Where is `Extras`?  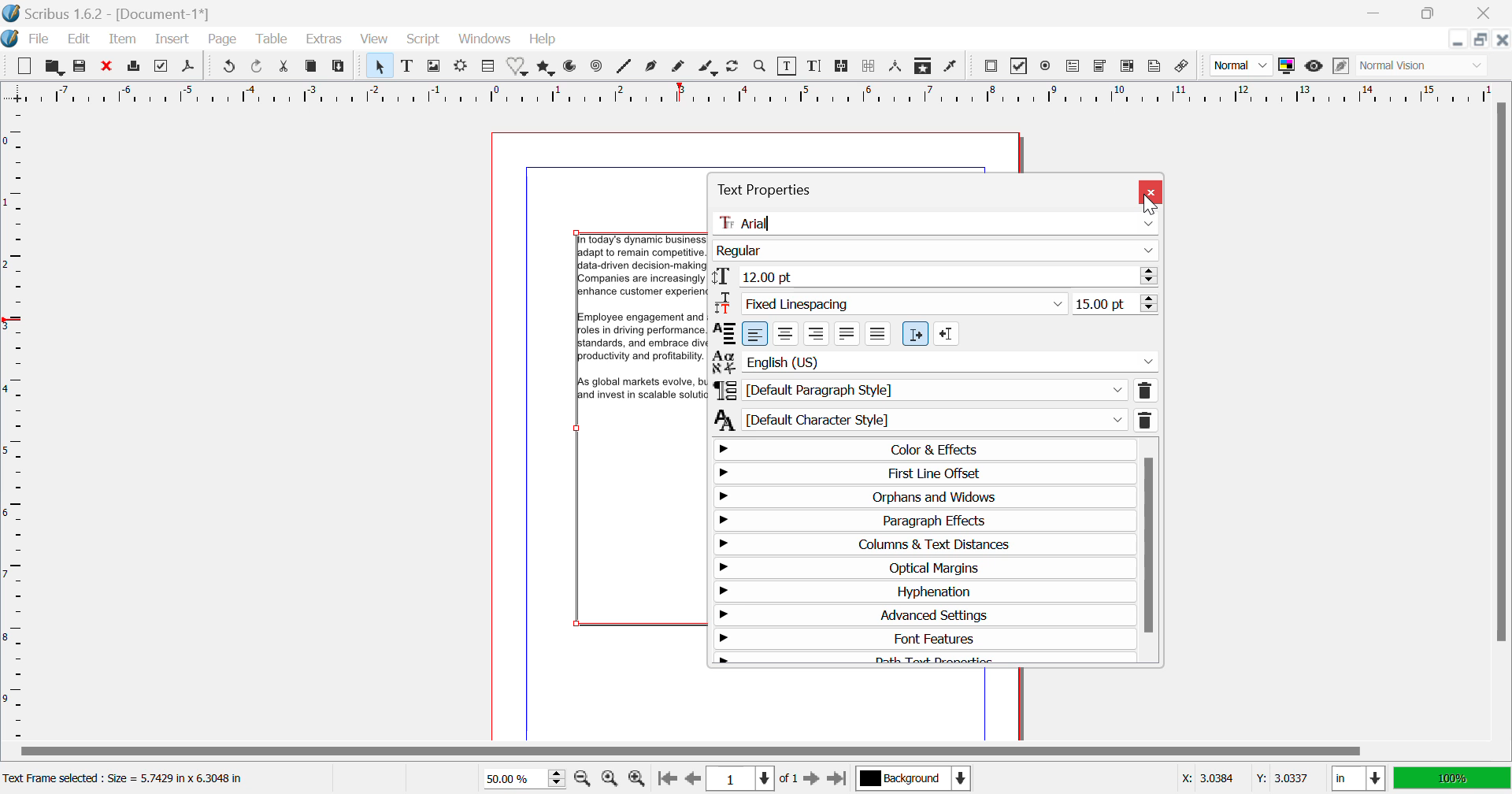
Extras is located at coordinates (327, 39).